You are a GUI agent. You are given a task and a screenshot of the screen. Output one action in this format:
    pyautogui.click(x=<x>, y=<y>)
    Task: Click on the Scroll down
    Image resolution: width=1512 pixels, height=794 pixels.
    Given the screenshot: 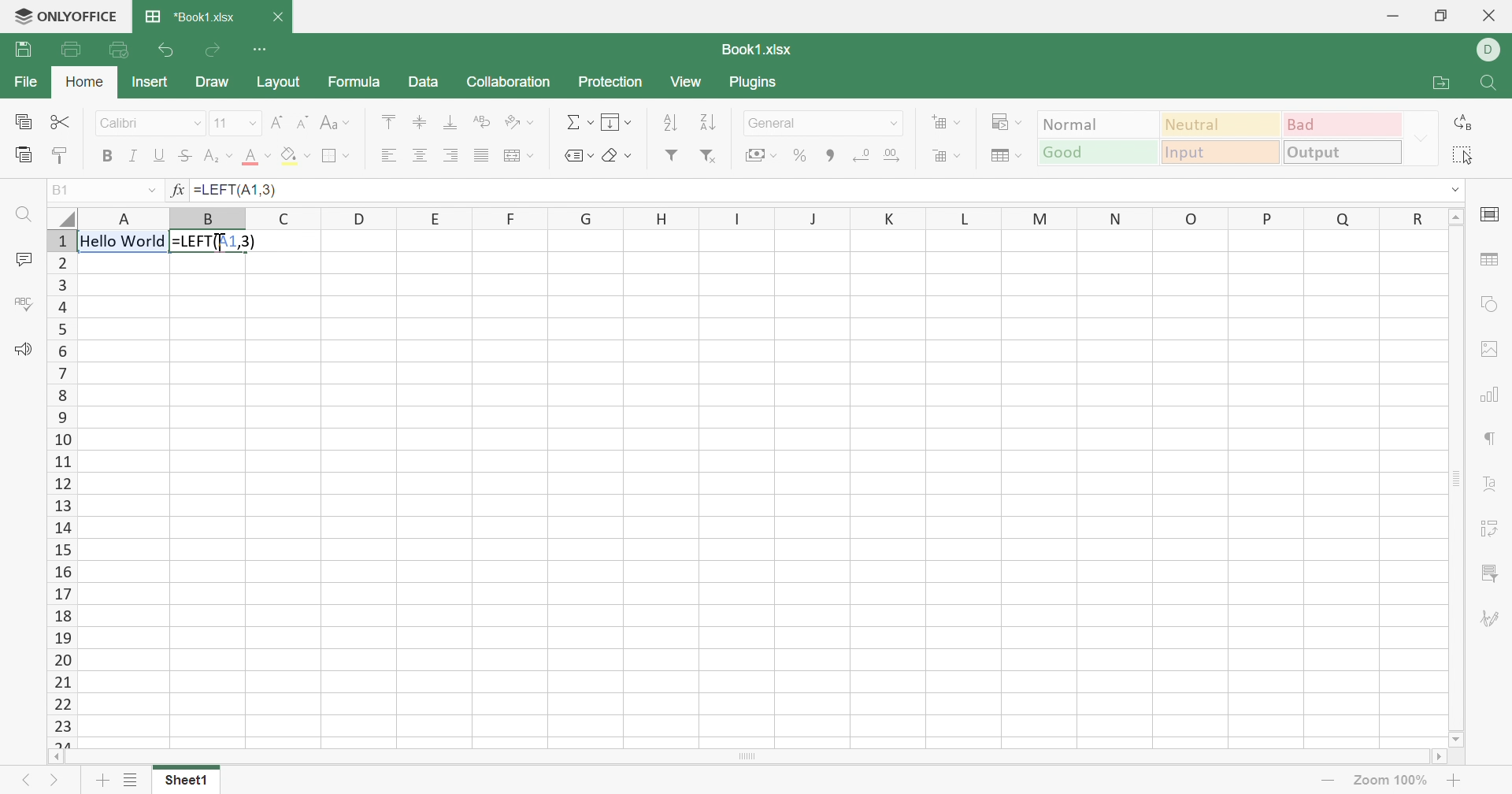 What is the action you would take?
    pyautogui.click(x=1458, y=739)
    